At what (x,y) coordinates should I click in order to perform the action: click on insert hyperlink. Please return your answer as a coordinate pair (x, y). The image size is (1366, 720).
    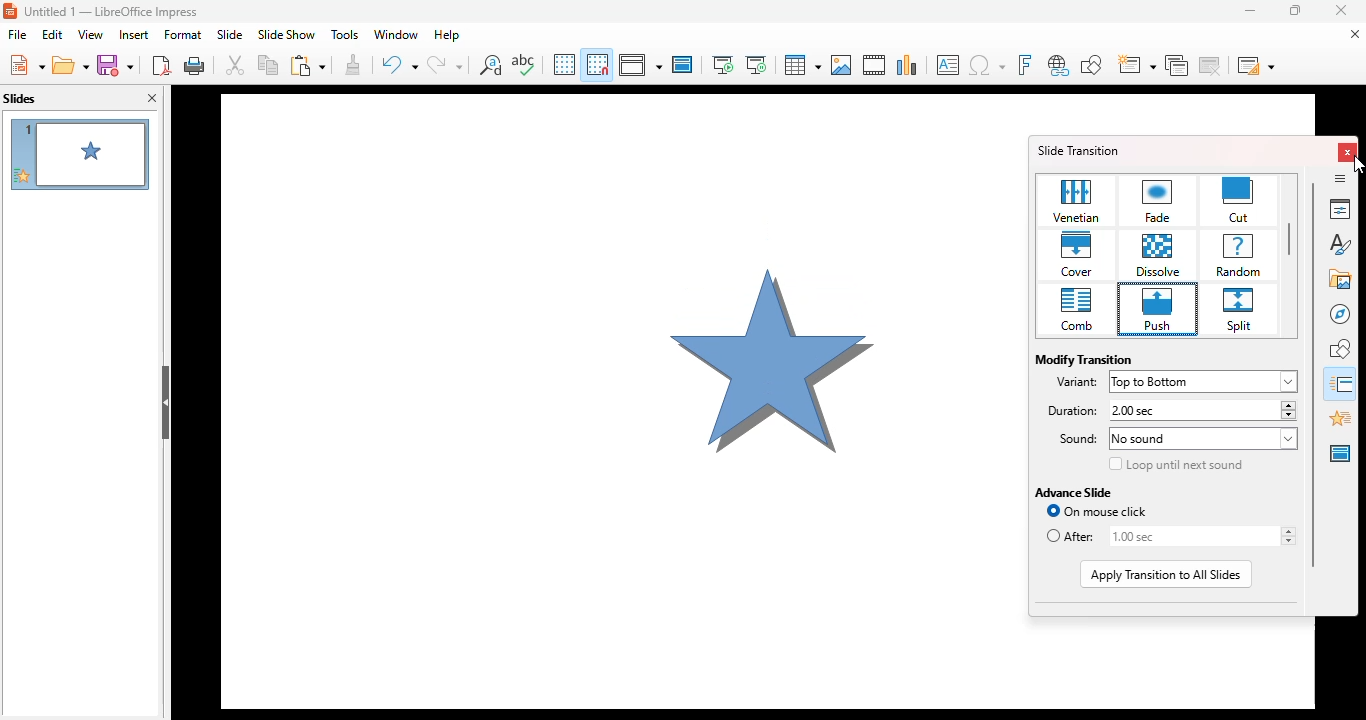
    Looking at the image, I should click on (1059, 66).